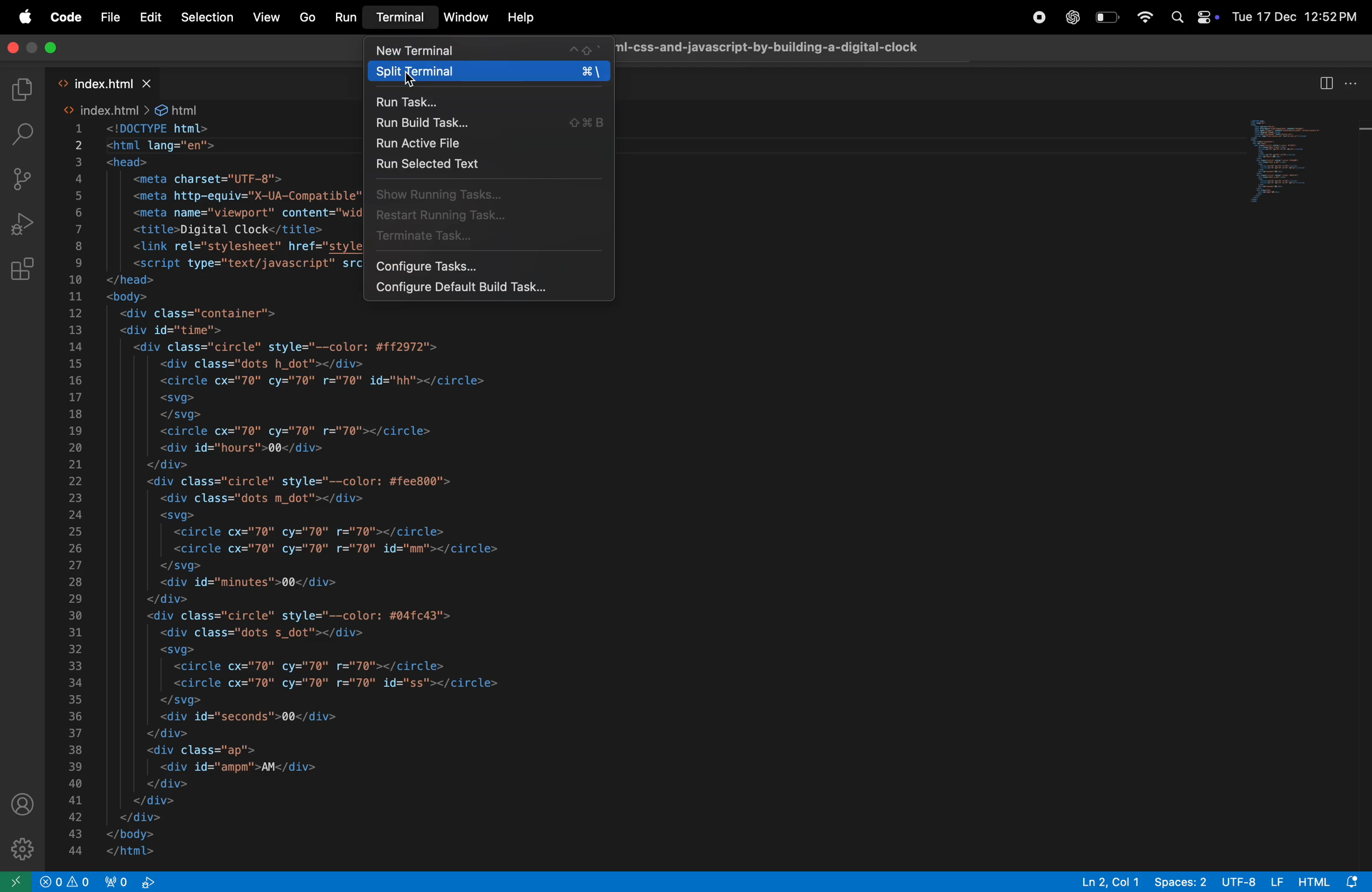  I want to click on cursor, so click(412, 81).